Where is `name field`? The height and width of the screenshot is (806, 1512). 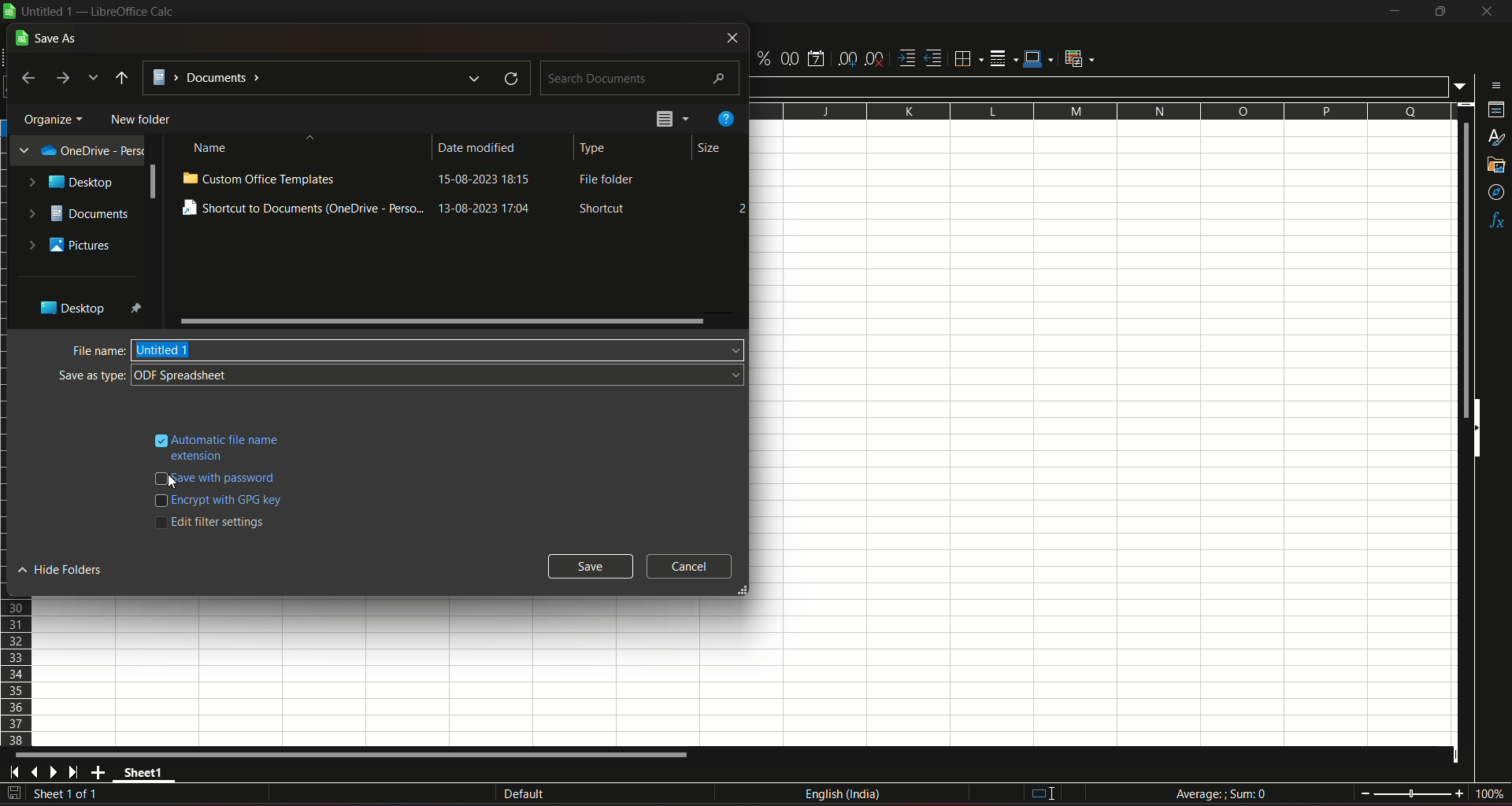
name field is located at coordinates (439, 349).